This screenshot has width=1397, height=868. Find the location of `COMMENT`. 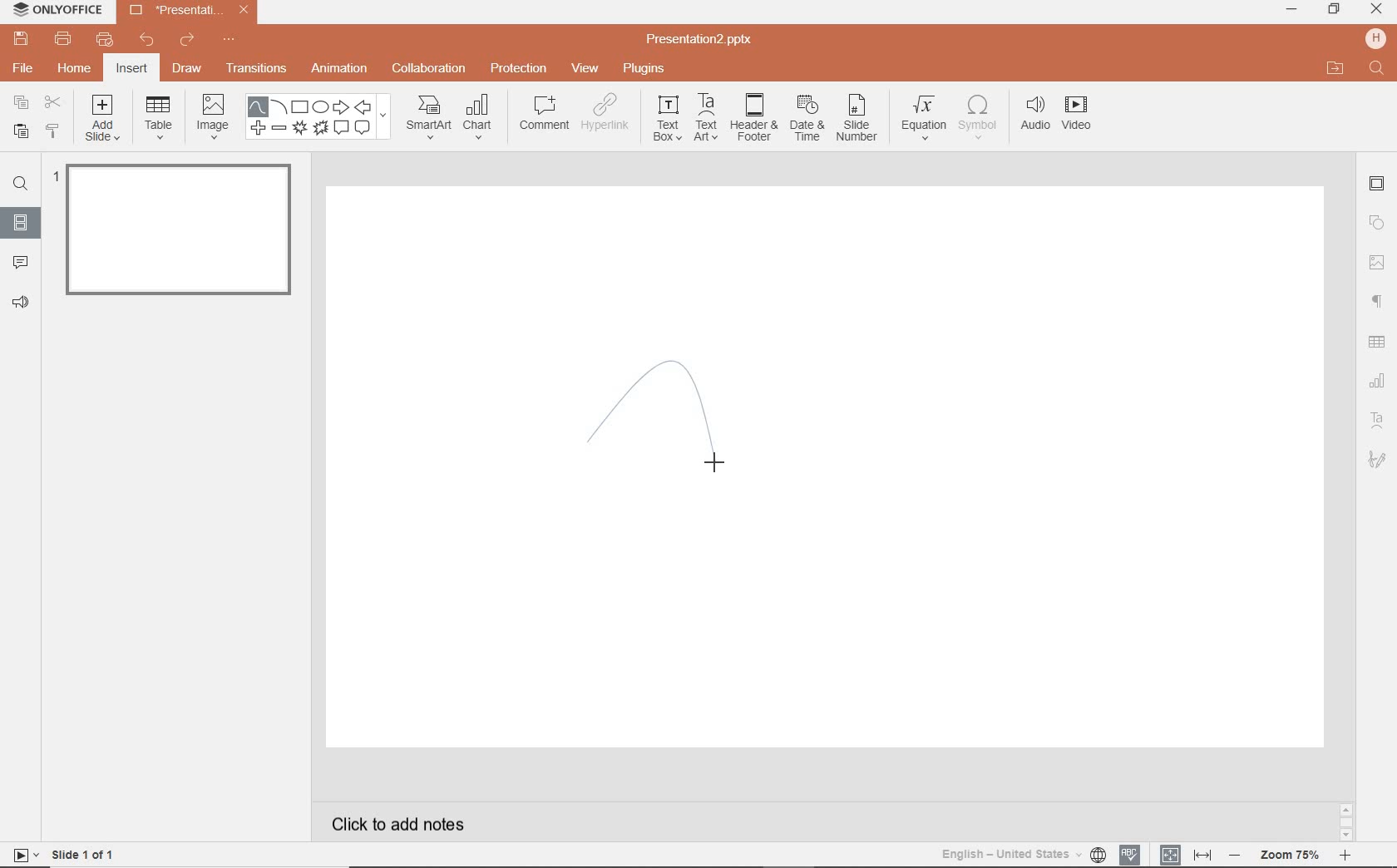

COMMENT is located at coordinates (542, 116).